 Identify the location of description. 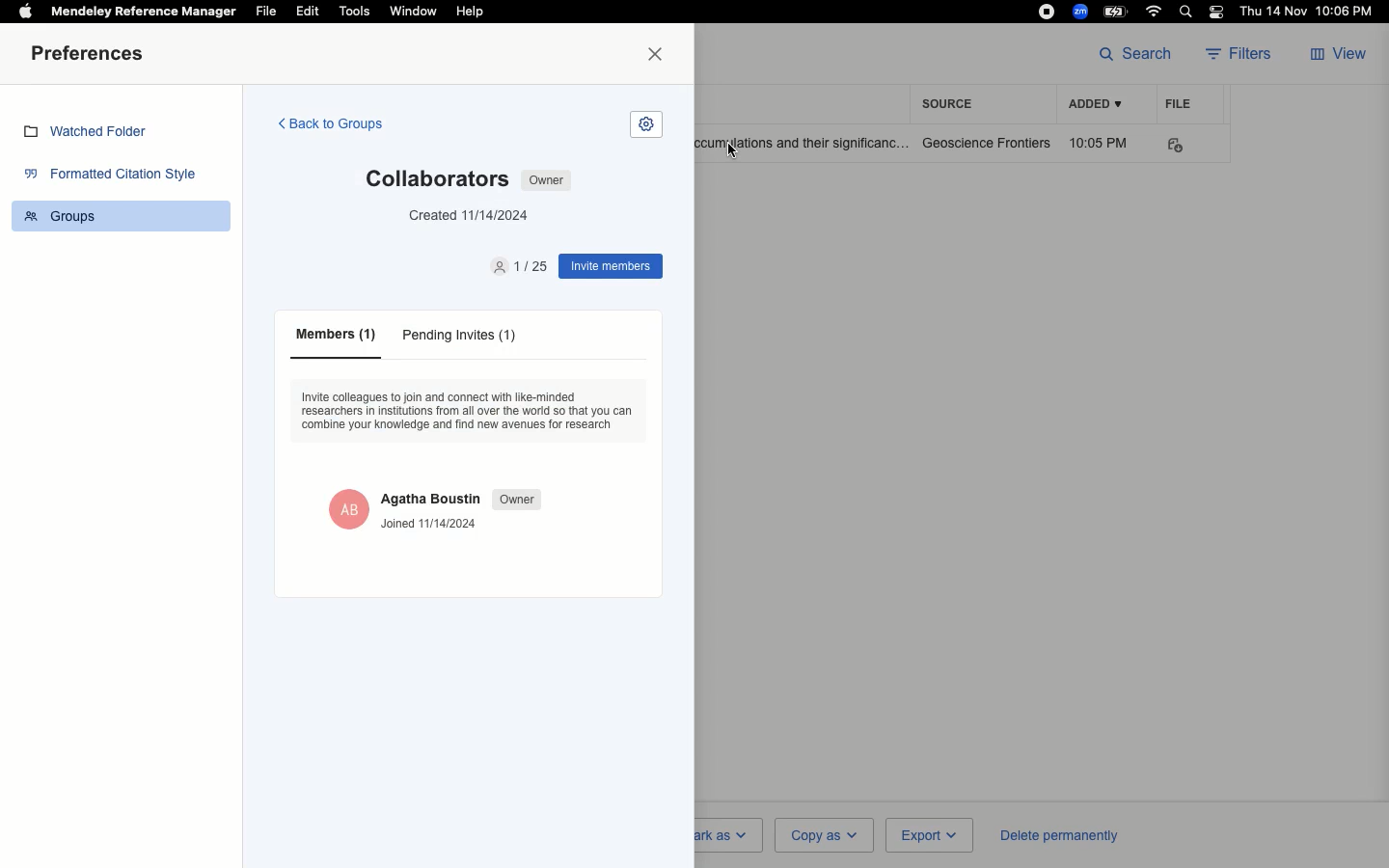
(472, 410).